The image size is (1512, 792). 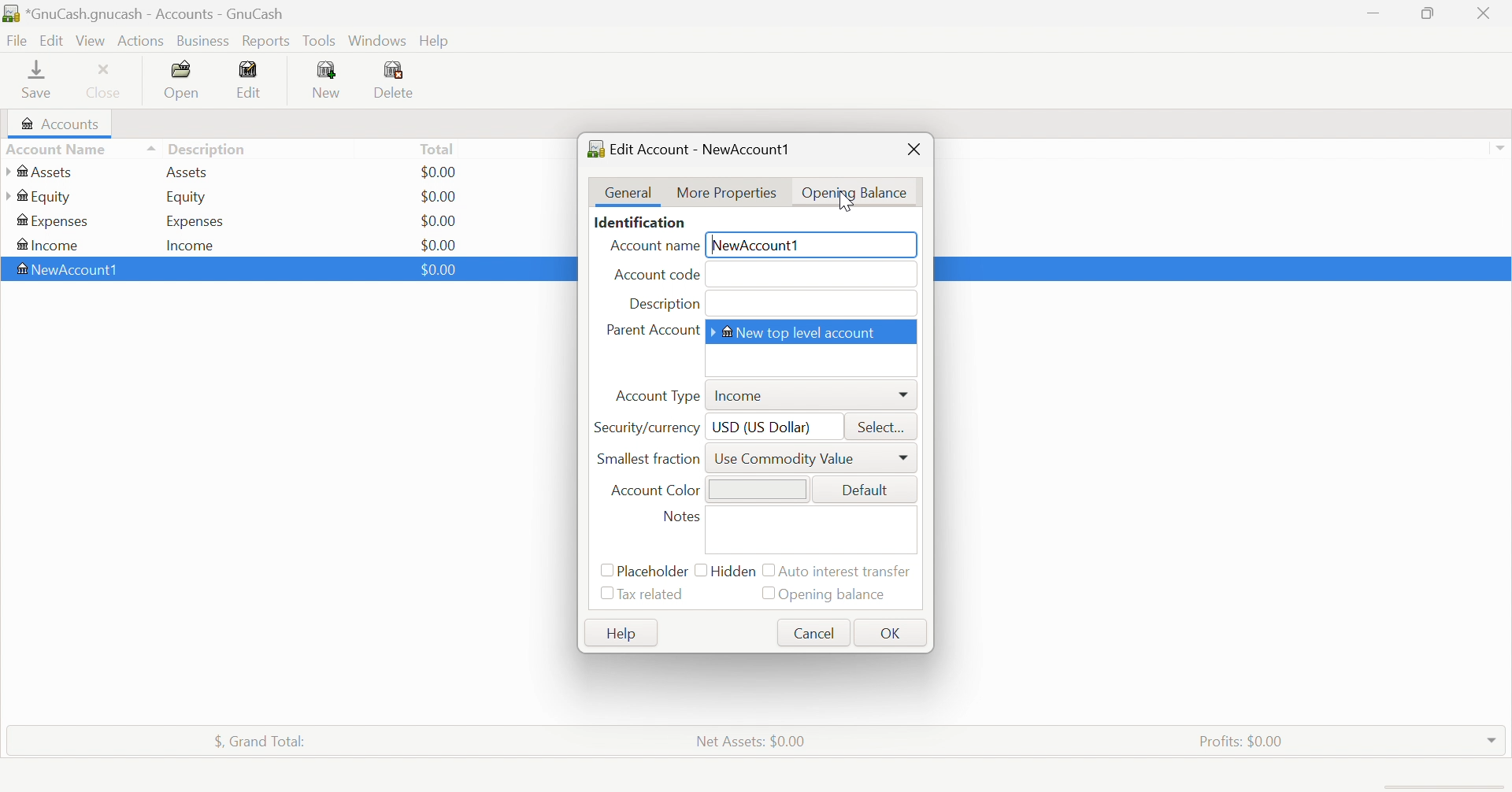 What do you see at coordinates (652, 571) in the screenshot?
I see `Placeholder` at bounding box center [652, 571].